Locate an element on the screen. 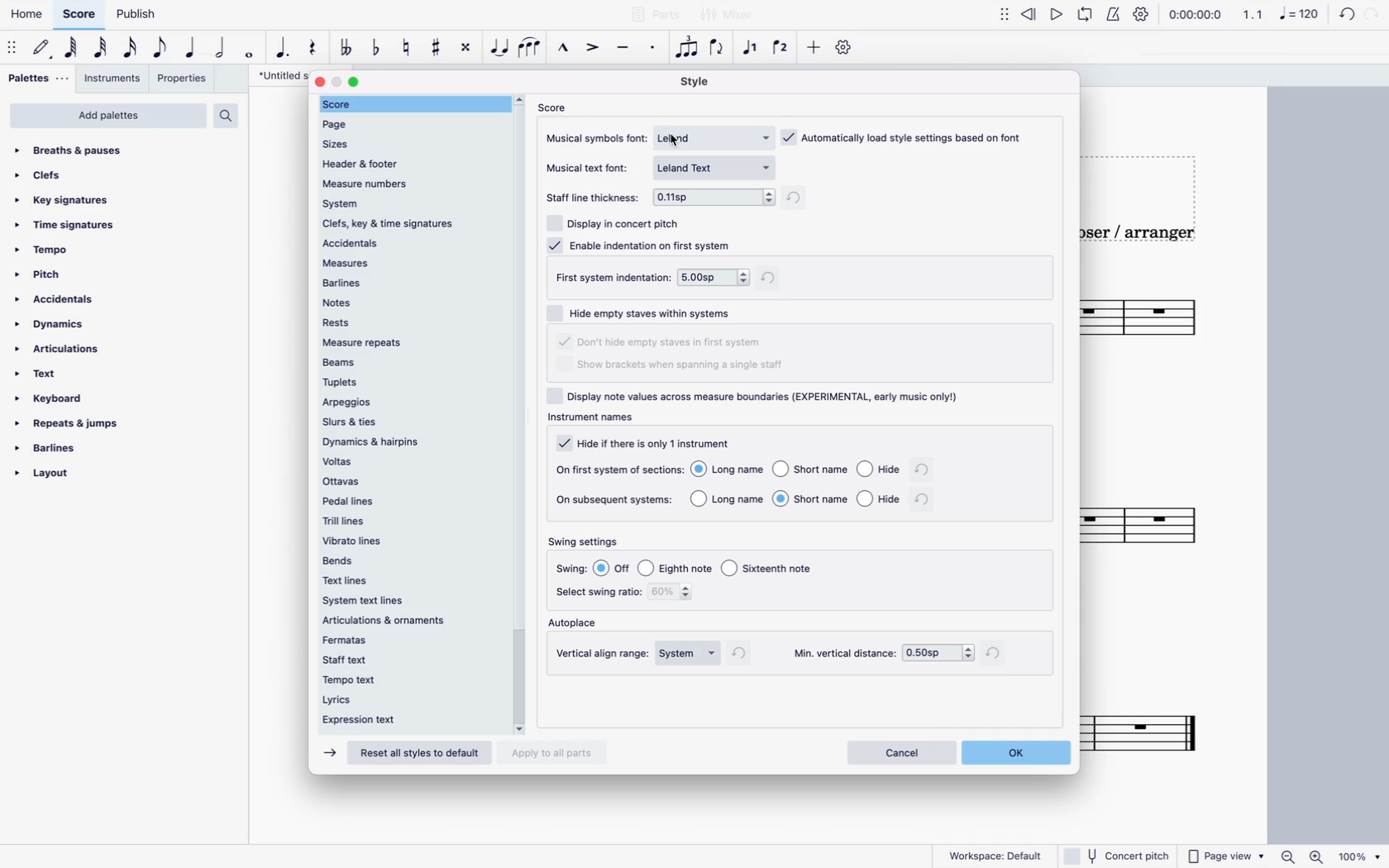 The image size is (1389, 868). system is located at coordinates (689, 654).